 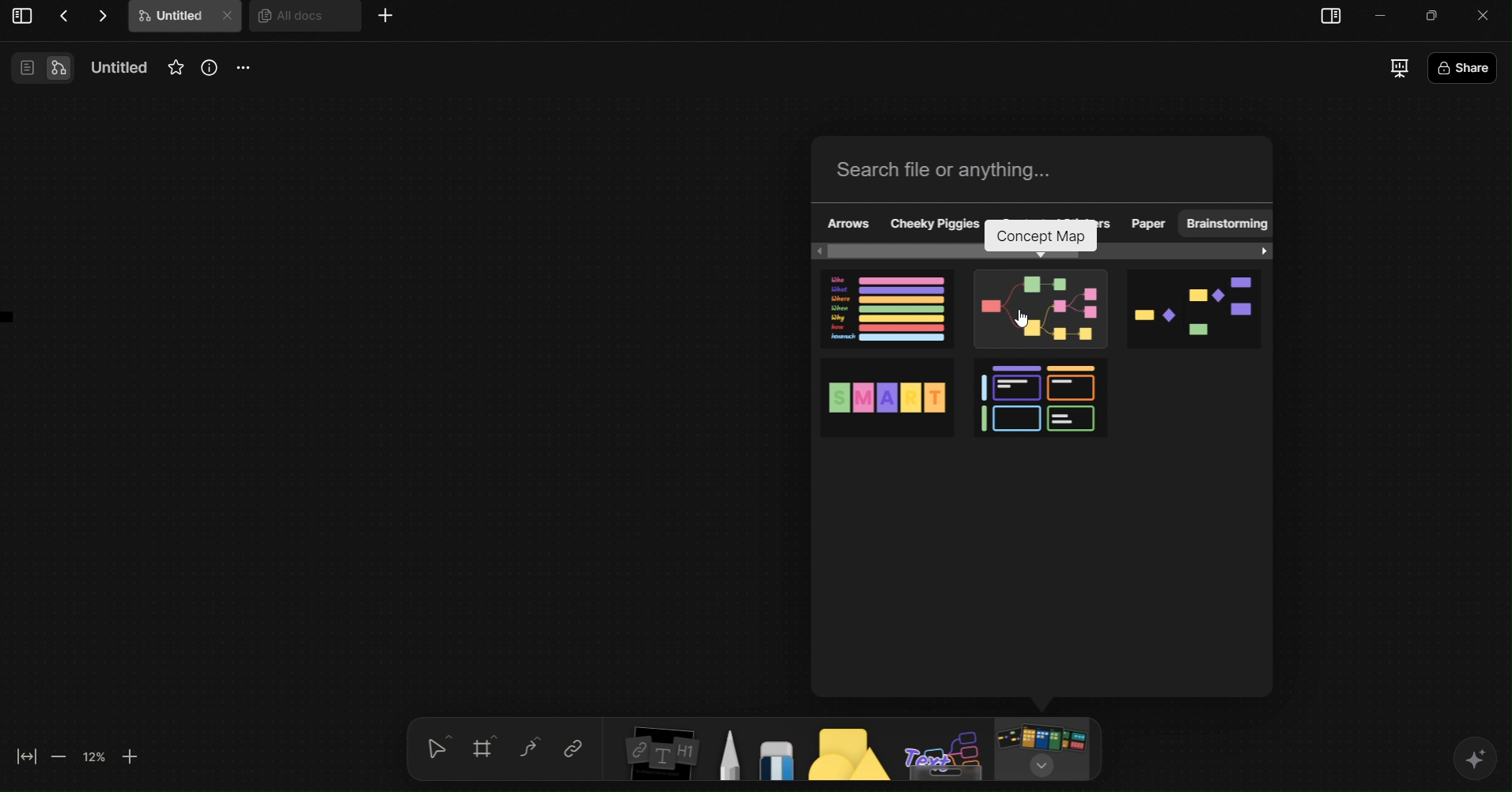 What do you see at coordinates (776, 754) in the screenshot?
I see `Eraser Tool` at bounding box center [776, 754].